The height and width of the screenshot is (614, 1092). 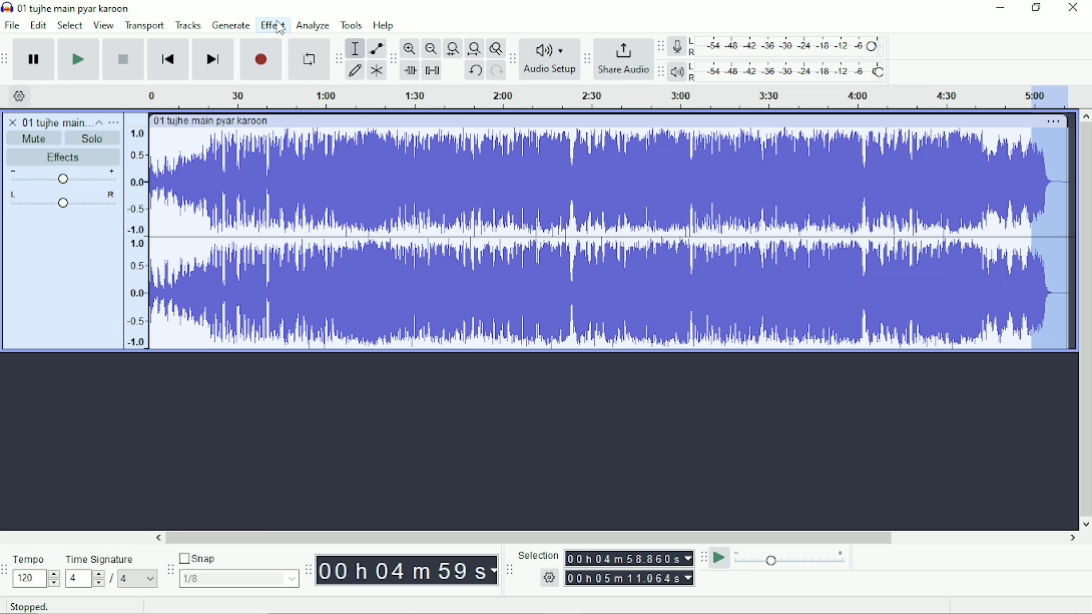 I want to click on Play, so click(x=78, y=59).